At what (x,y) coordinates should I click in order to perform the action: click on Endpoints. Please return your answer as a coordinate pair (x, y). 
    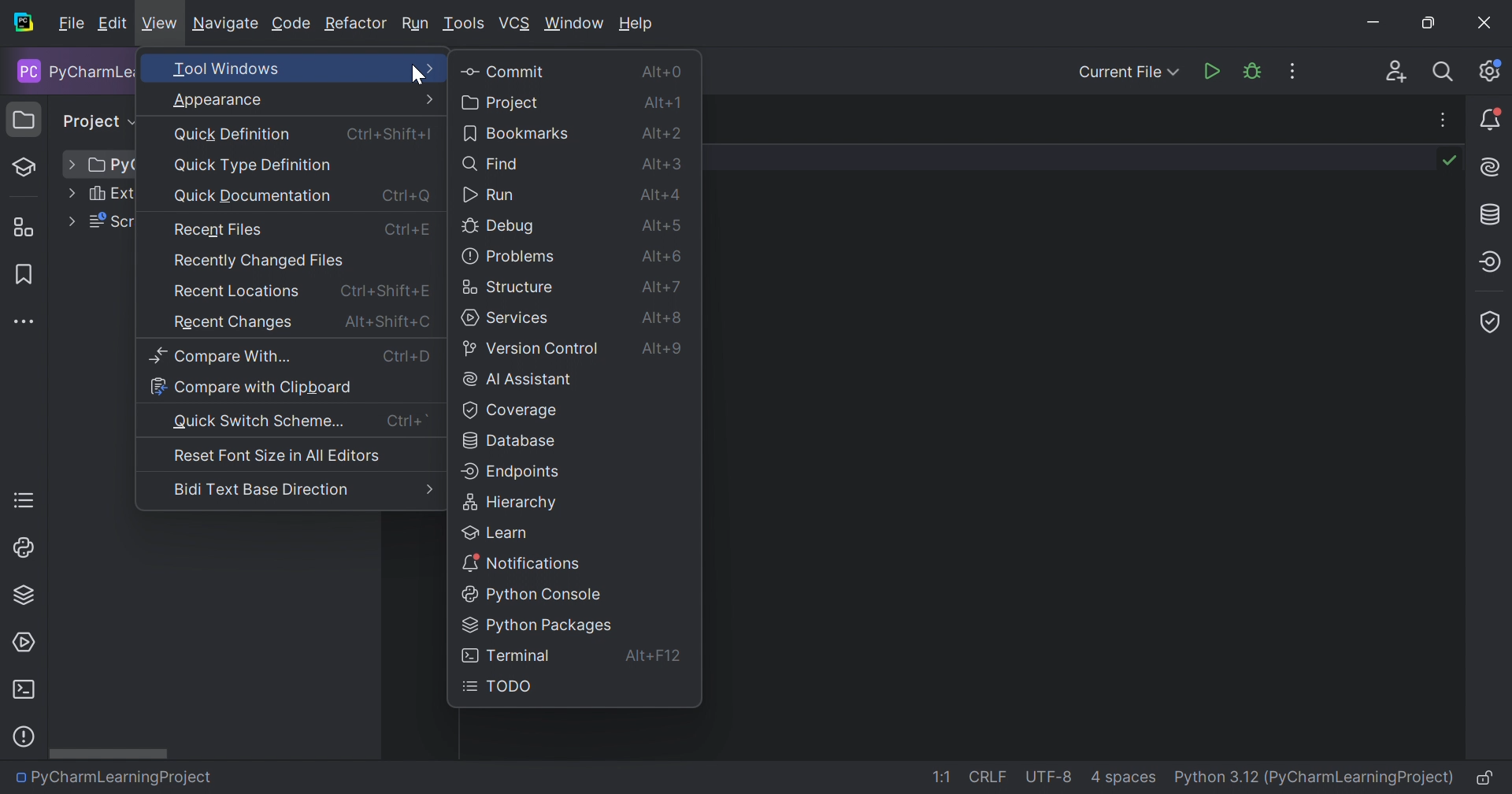
    Looking at the image, I should click on (512, 471).